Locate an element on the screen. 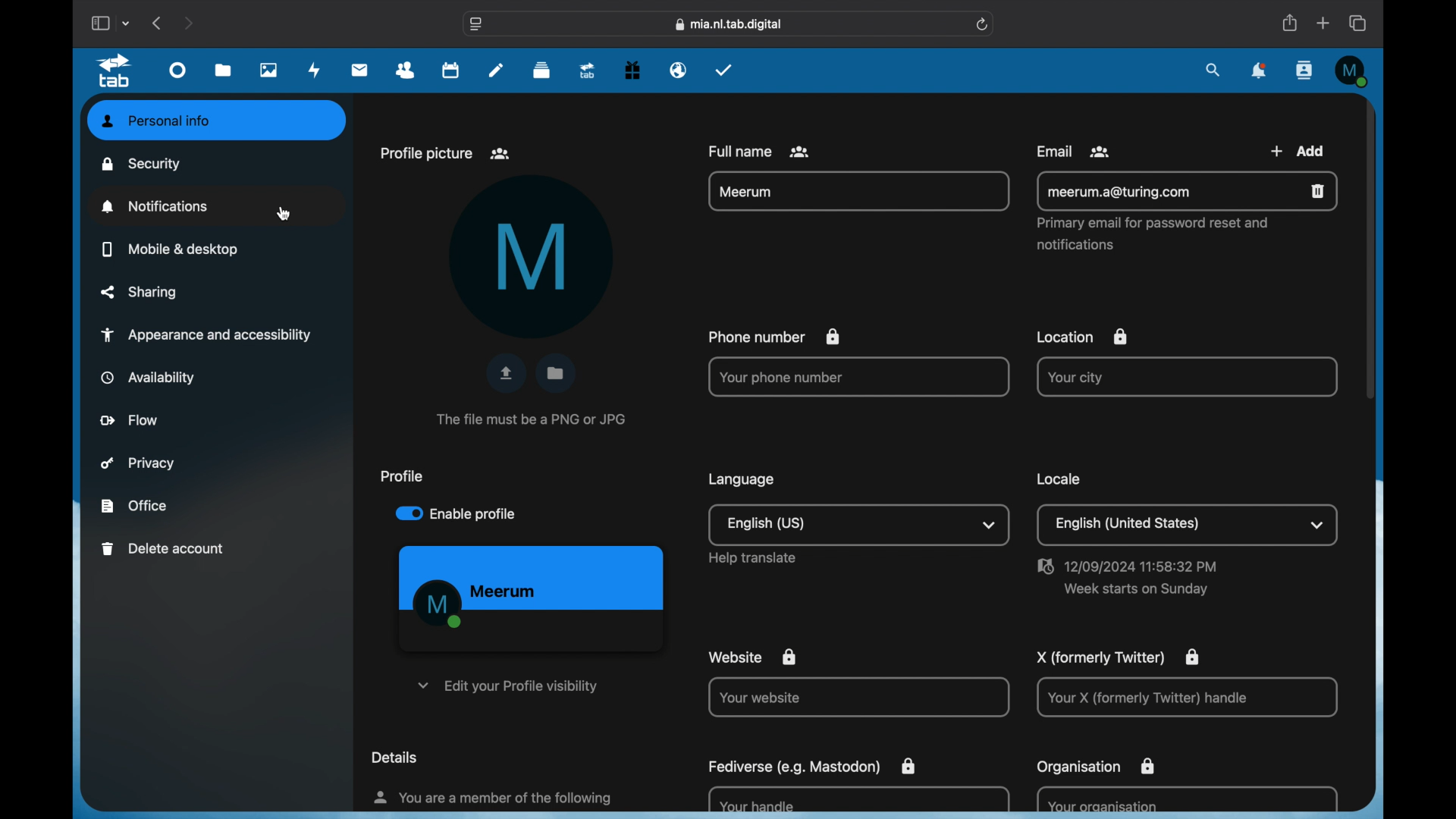  appearance and accessibility is located at coordinates (206, 335).